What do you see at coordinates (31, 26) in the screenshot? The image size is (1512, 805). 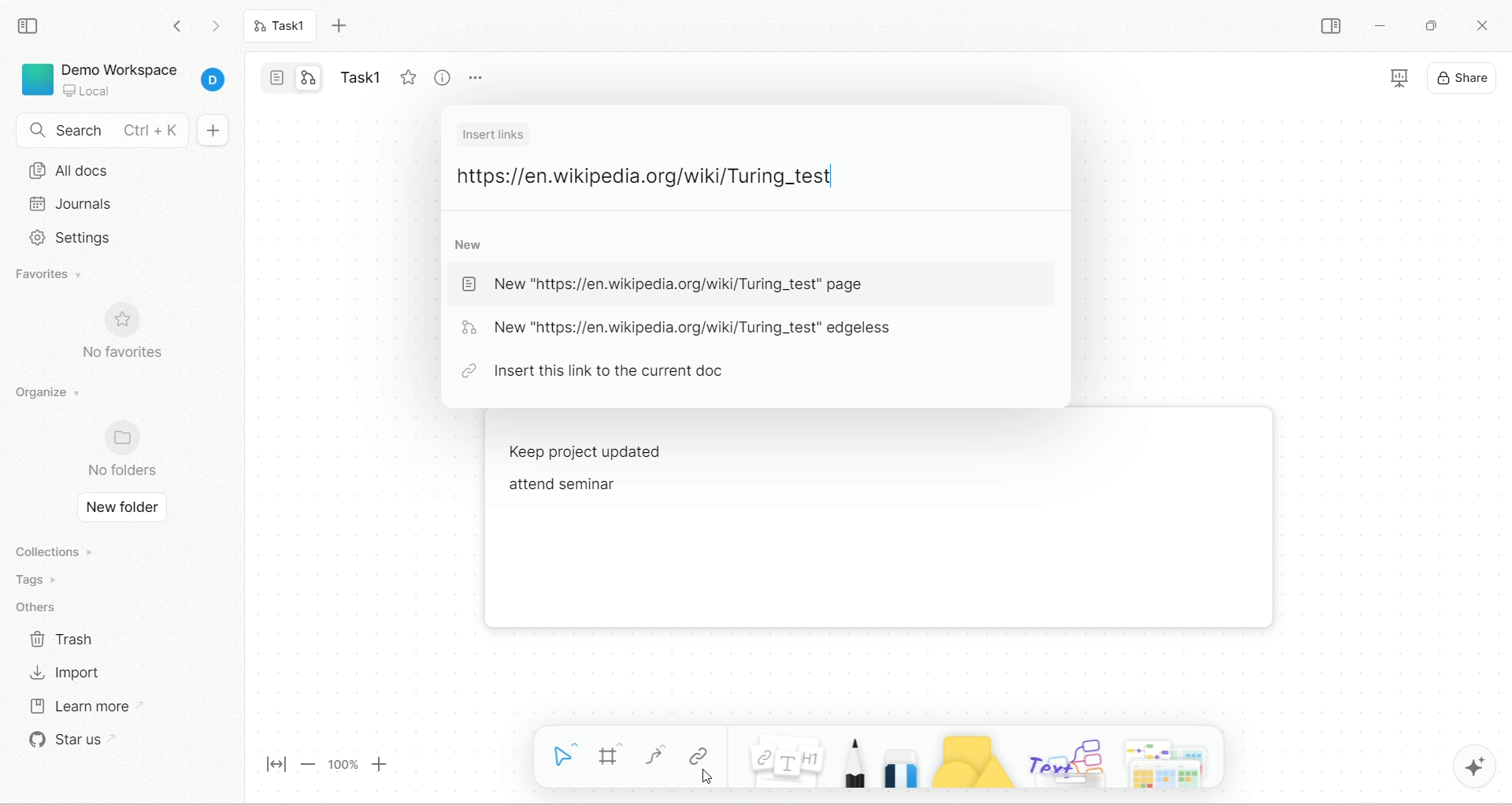 I see `collapse sidebar` at bounding box center [31, 26].